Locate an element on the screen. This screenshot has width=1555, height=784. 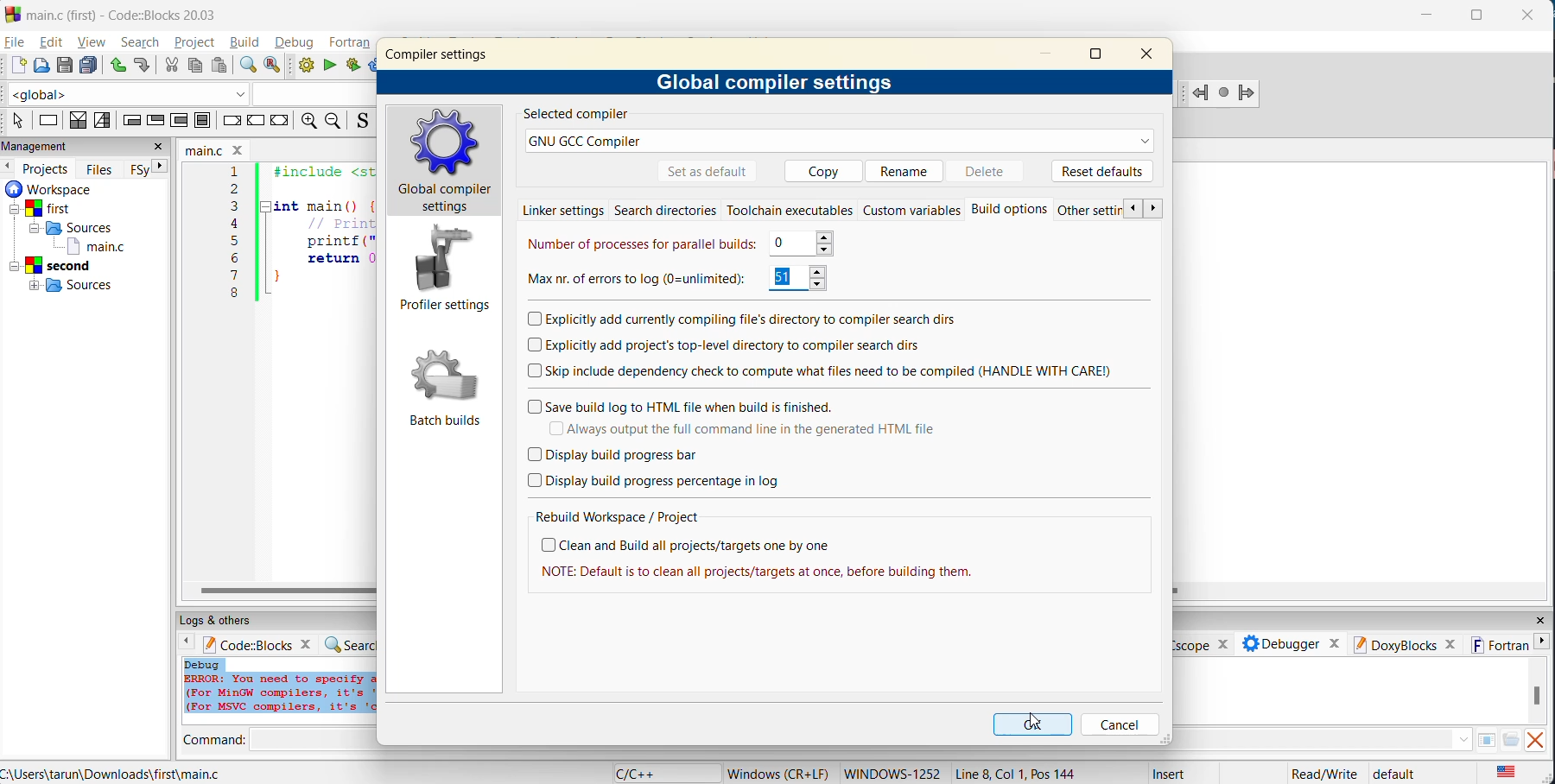
GNU GCC Compiler is located at coordinates (839, 141).